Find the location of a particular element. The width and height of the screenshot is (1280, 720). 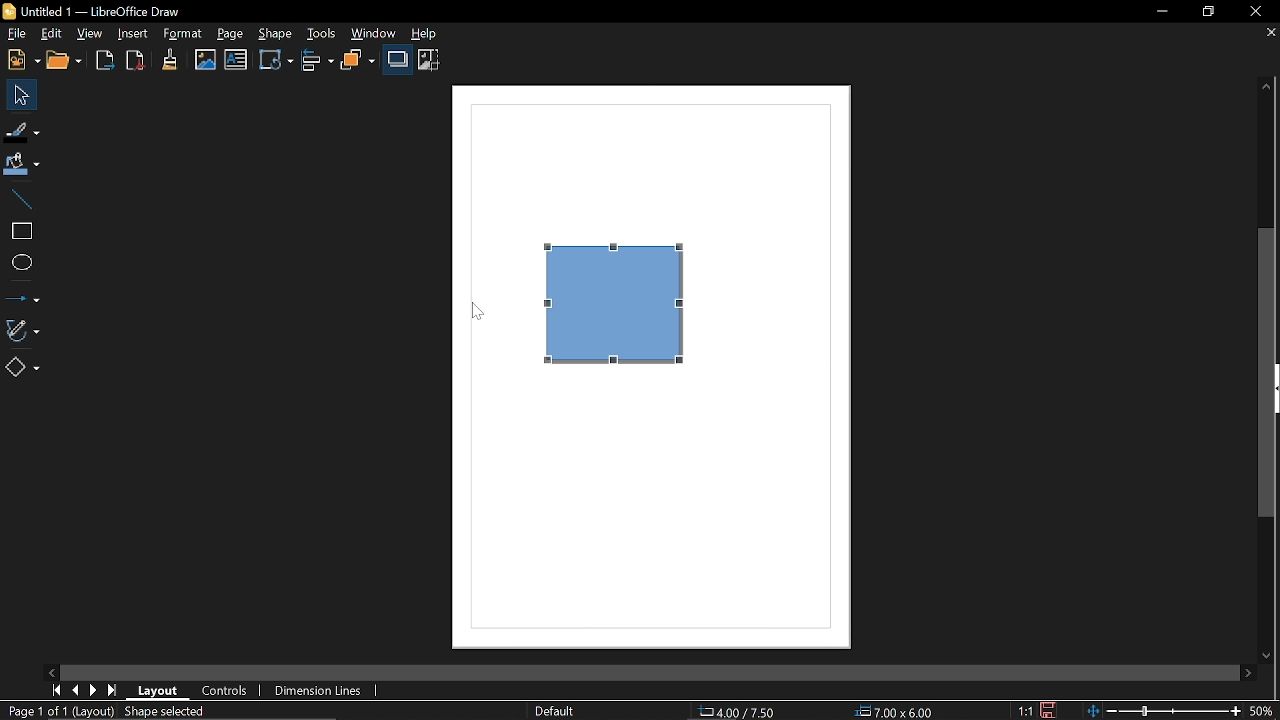

Close page is located at coordinates (1269, 34).